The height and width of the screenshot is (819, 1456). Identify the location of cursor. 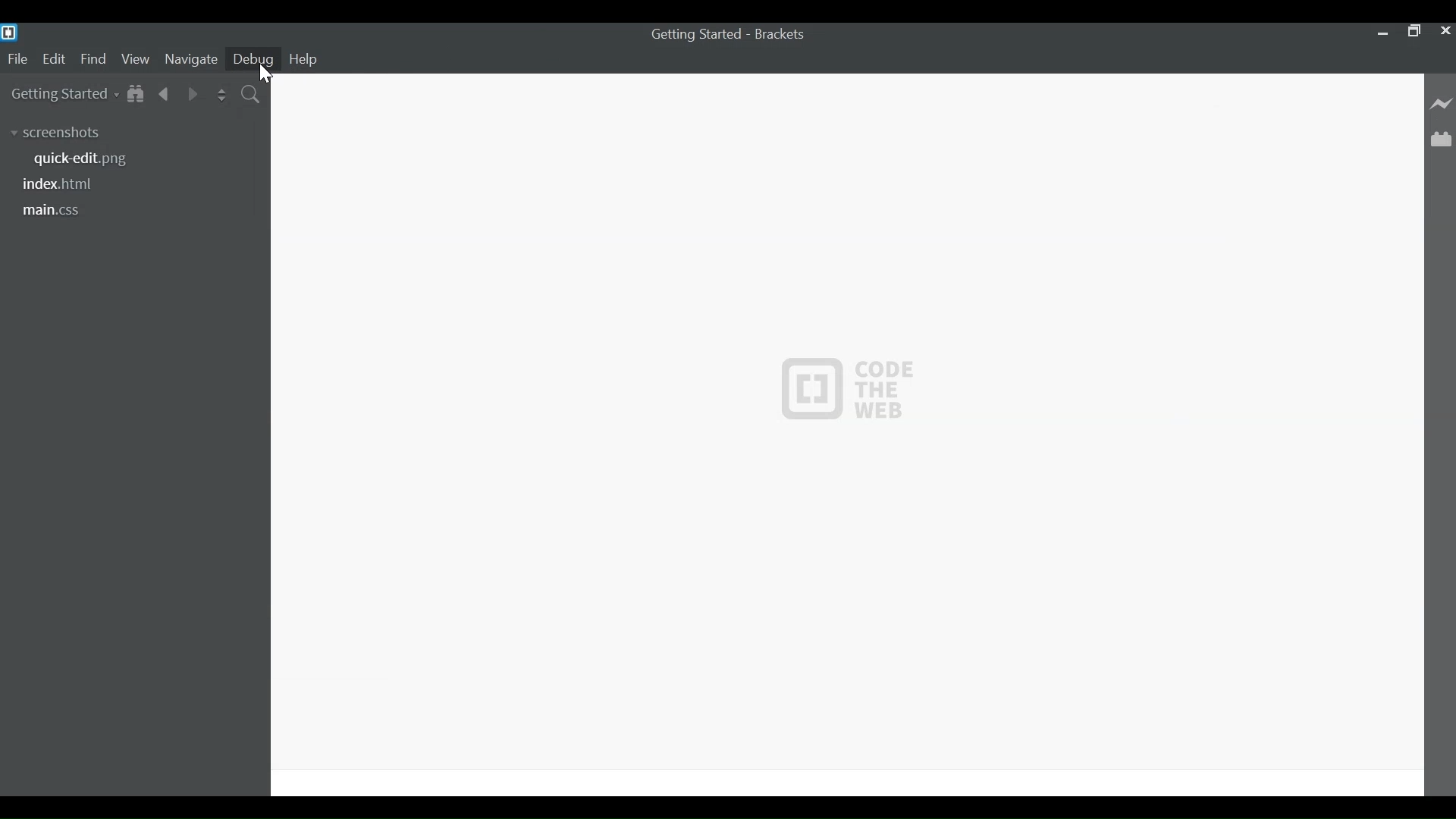
(267, 74).